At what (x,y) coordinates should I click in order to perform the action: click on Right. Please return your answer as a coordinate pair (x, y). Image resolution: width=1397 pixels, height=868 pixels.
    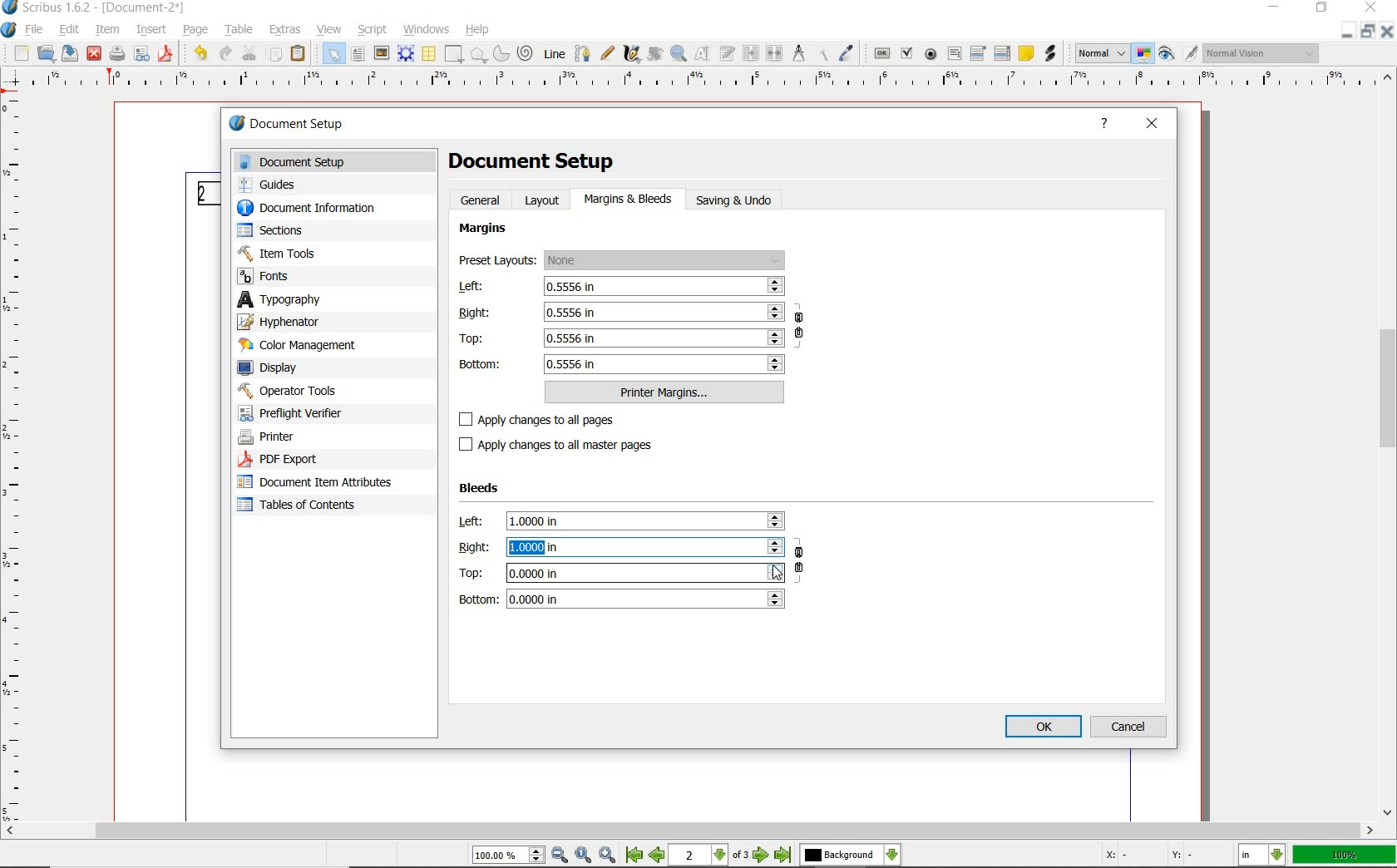
    Looking at the image, I should click on (621, 311).